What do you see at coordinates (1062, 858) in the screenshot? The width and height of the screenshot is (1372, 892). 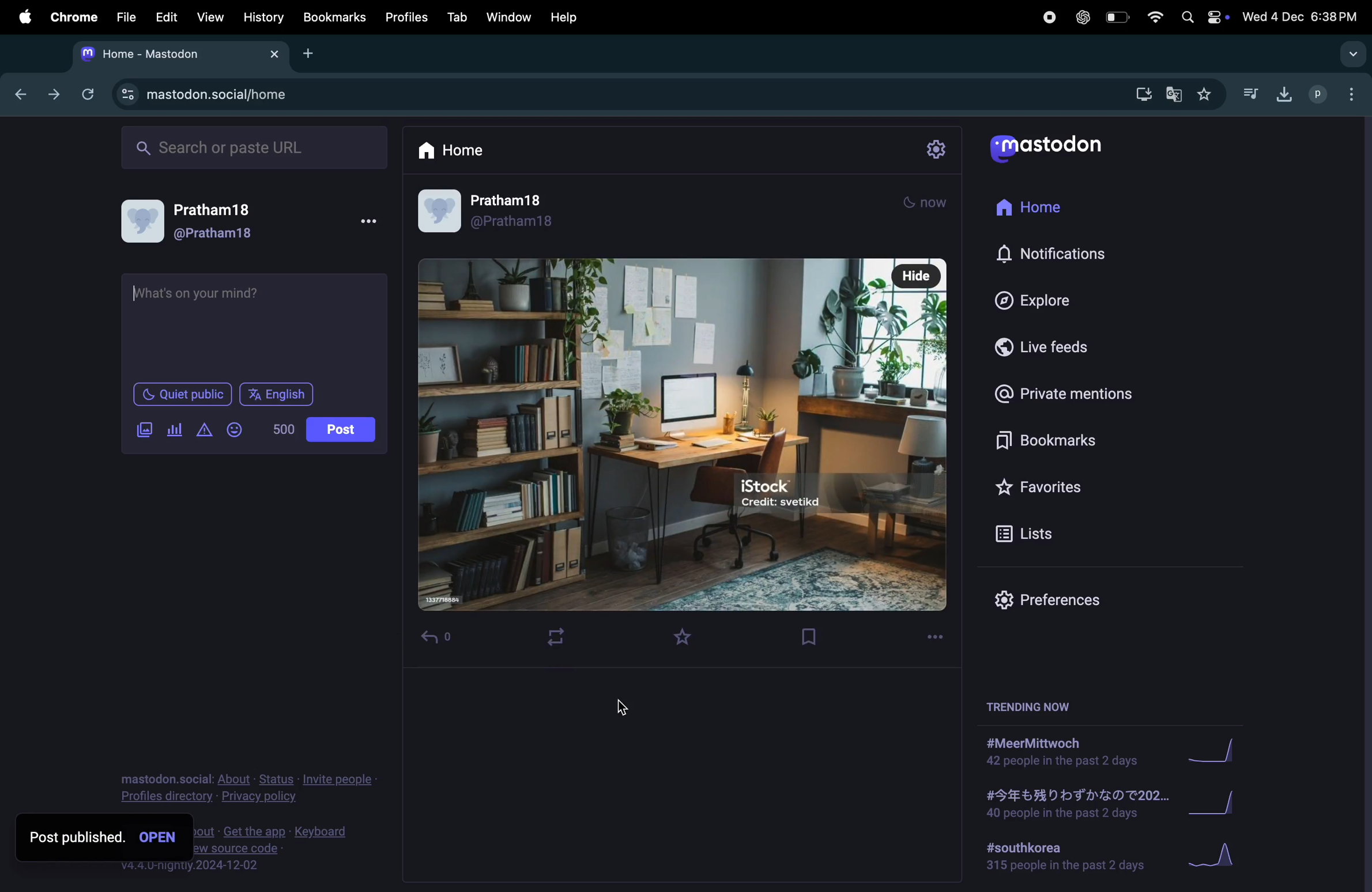 I see `#south korea` at bounding box center [1062, 858].